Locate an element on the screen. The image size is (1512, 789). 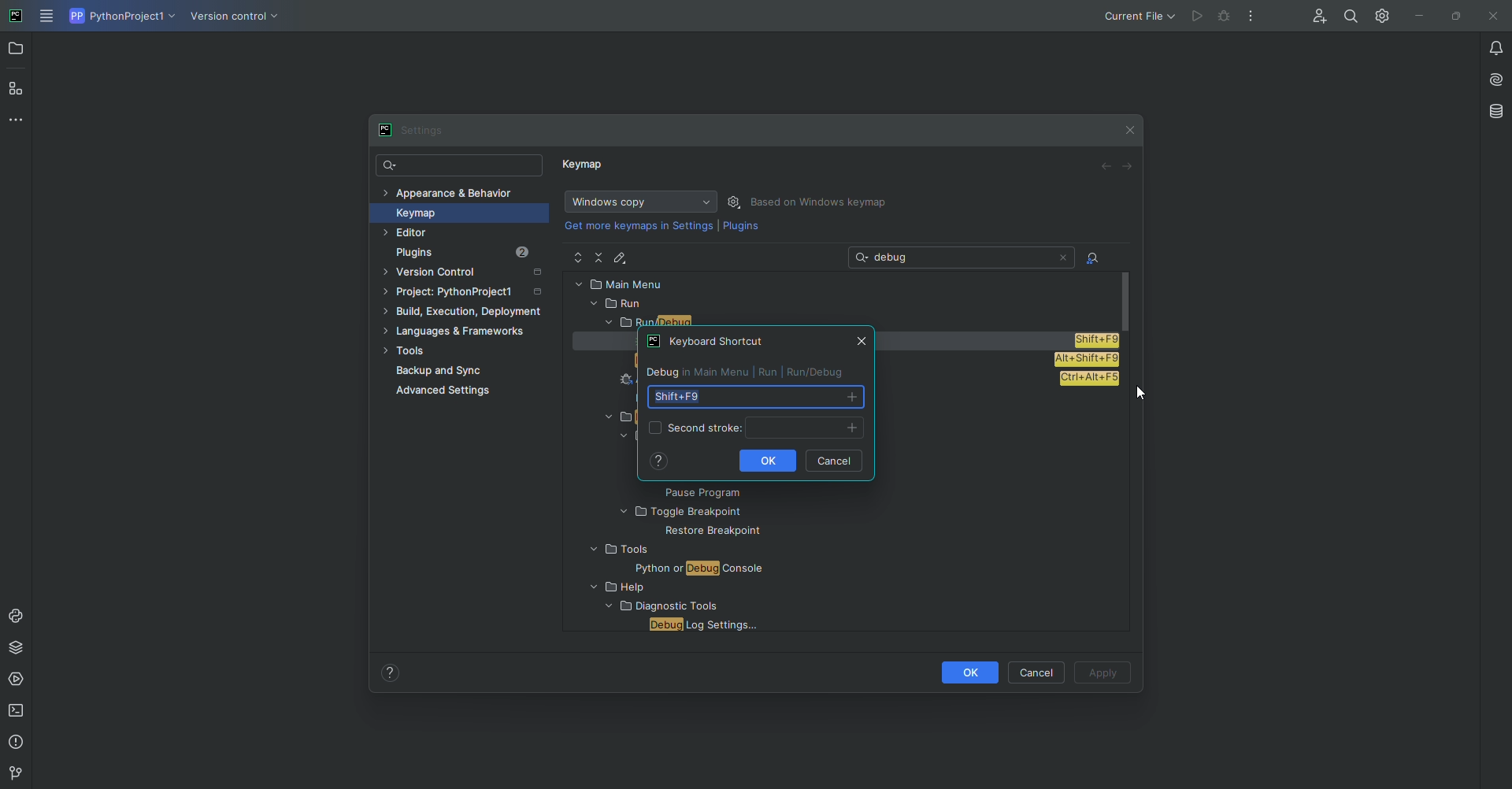
Languages and Framework is located at coordinates (461, 332).